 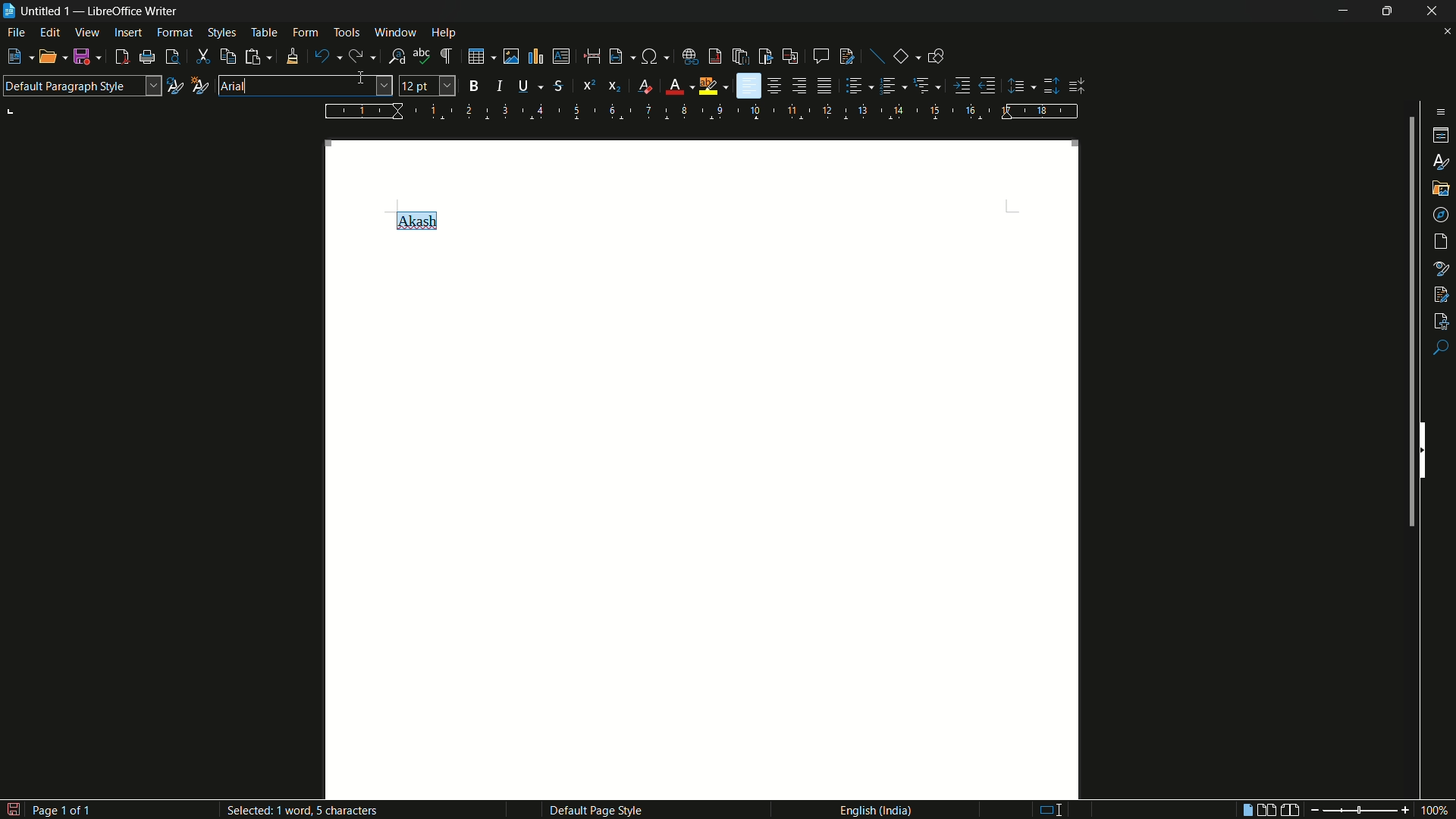 I want to click on insert image, so click(x=505, y=55).